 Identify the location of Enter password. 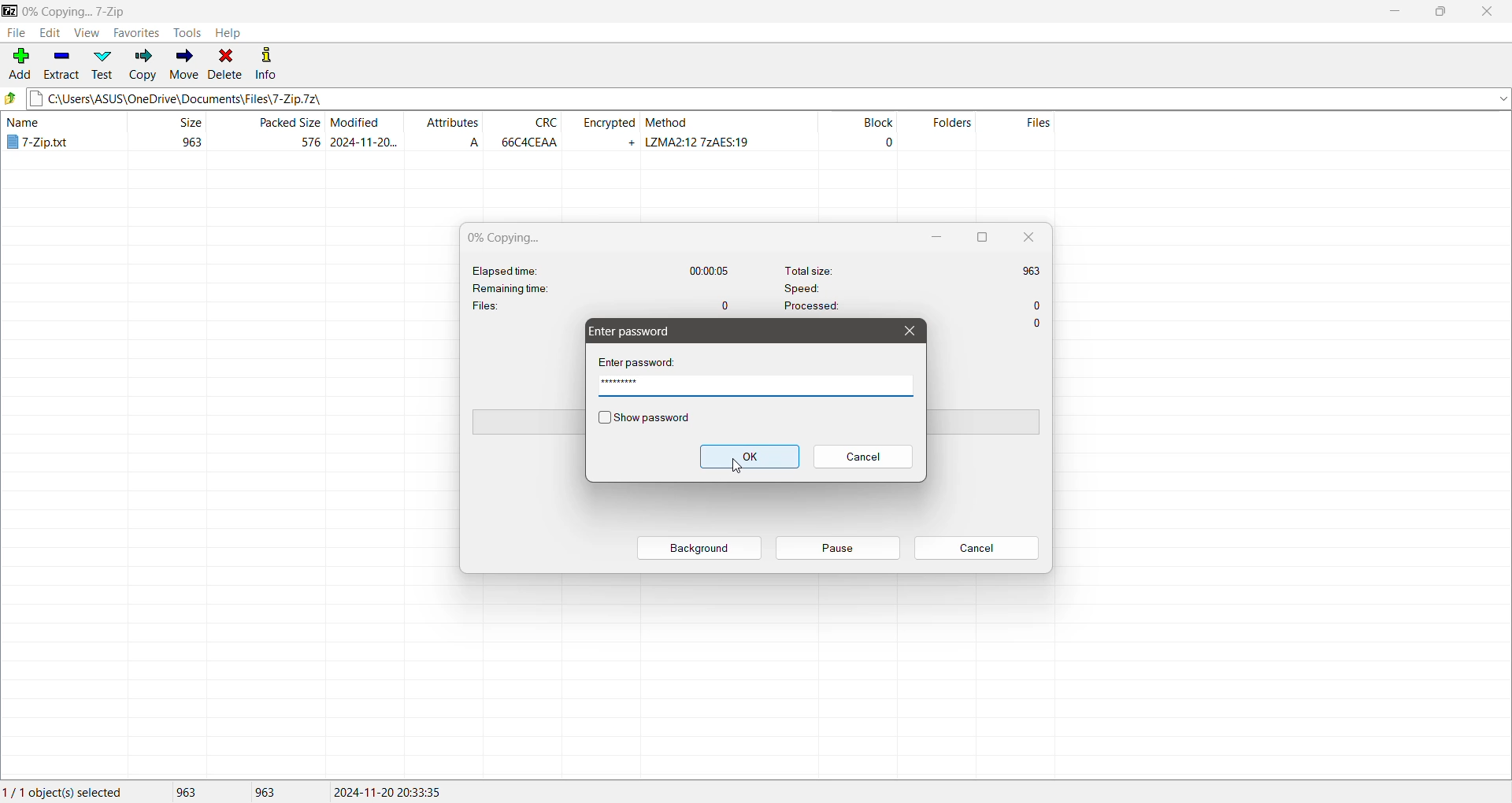
(634, 331).